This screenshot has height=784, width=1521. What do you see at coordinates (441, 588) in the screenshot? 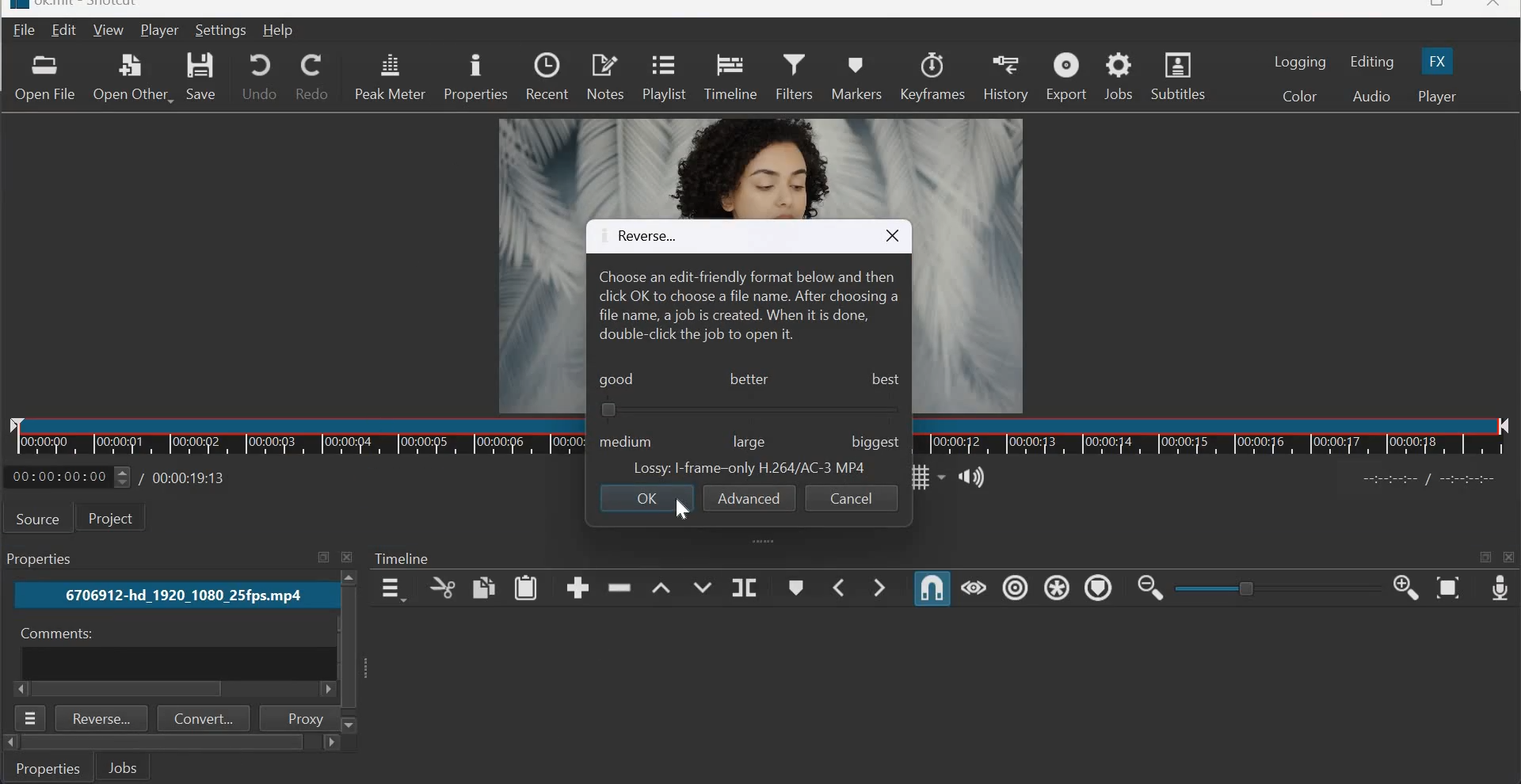
I see `cut` at bounding box center [441, 588].